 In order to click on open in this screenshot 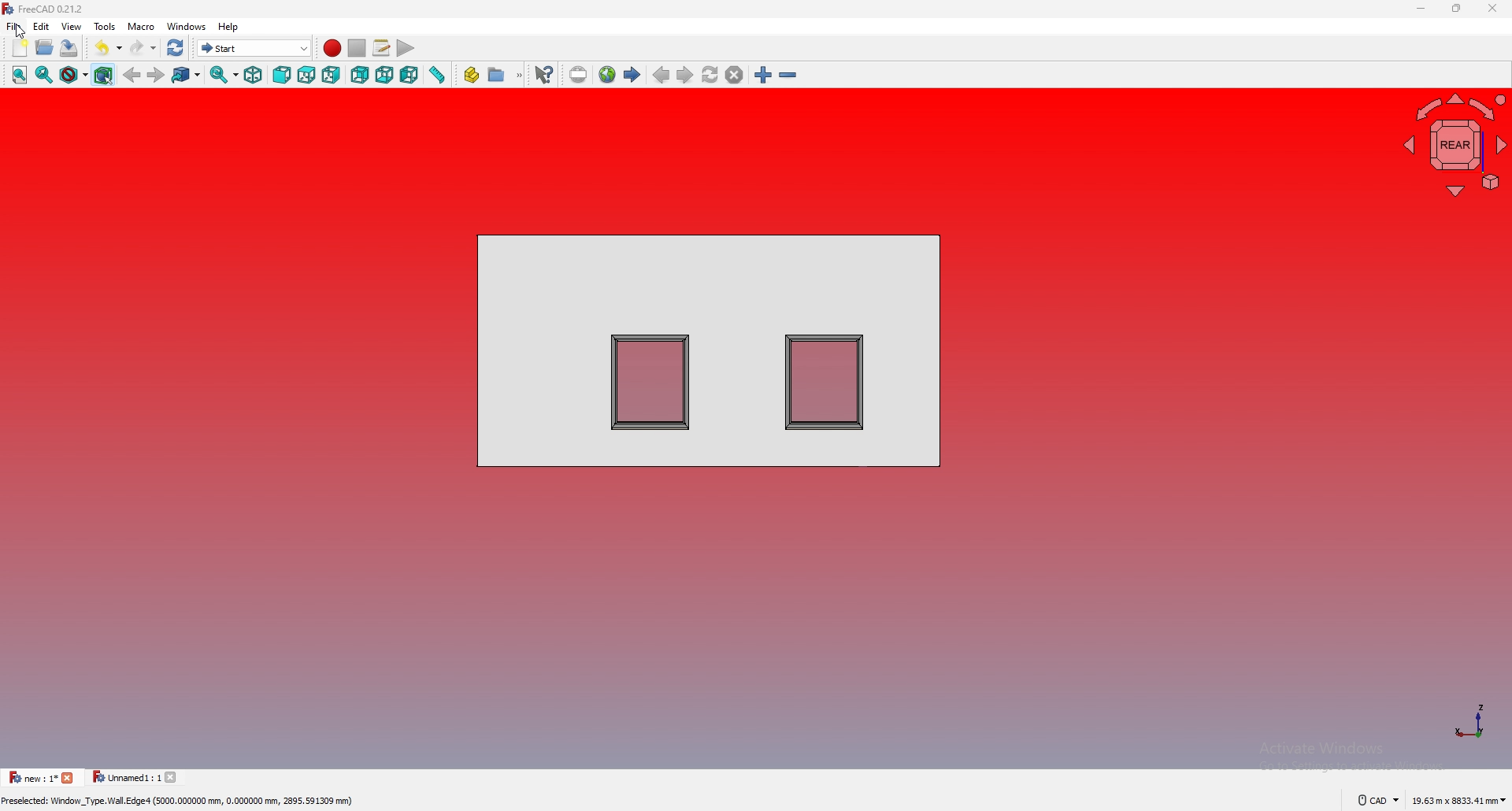, I will do `click(45, 47)`.